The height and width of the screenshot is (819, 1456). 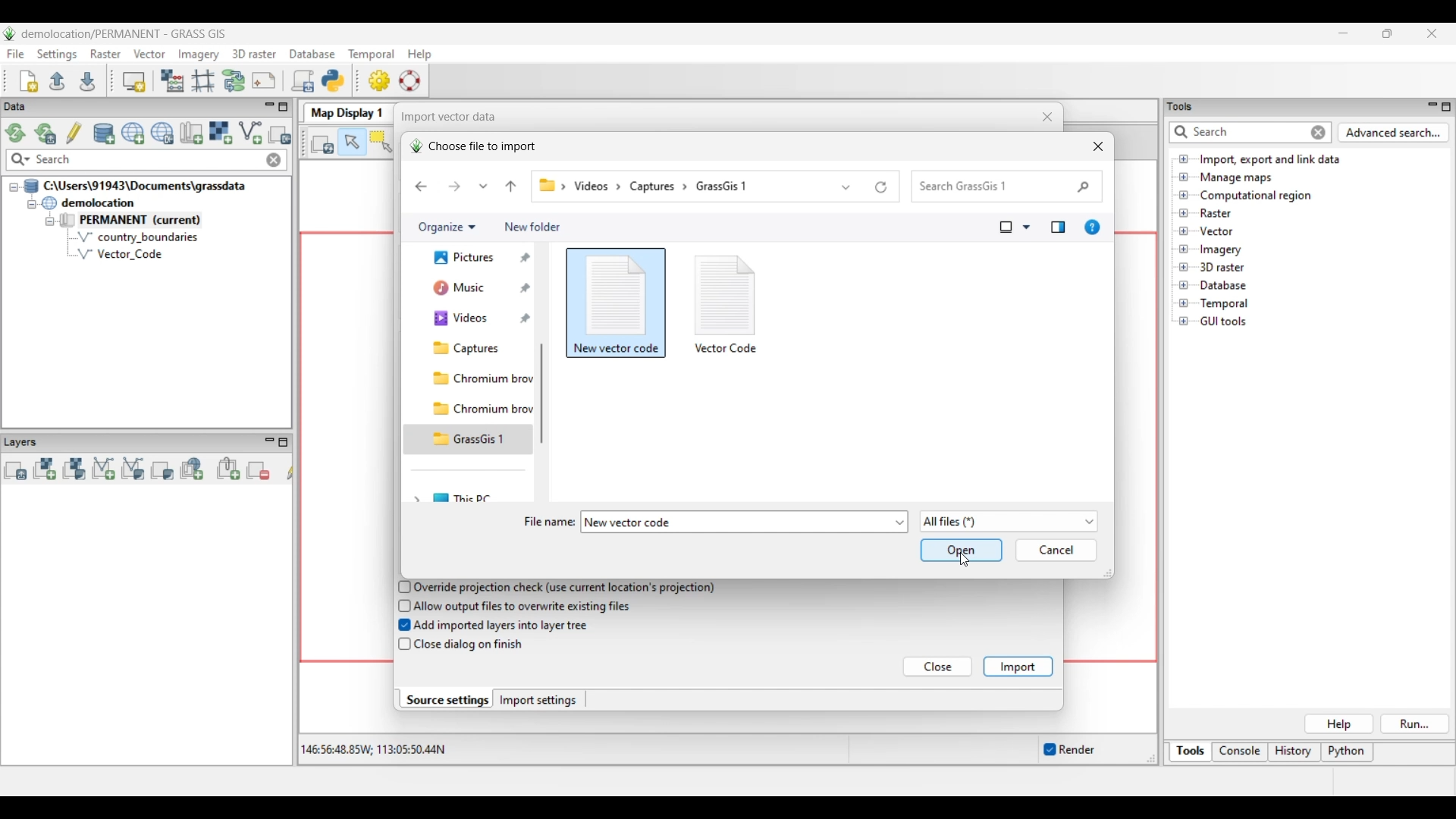 I want to click on Temporal menu, so click(x=371, y=55).